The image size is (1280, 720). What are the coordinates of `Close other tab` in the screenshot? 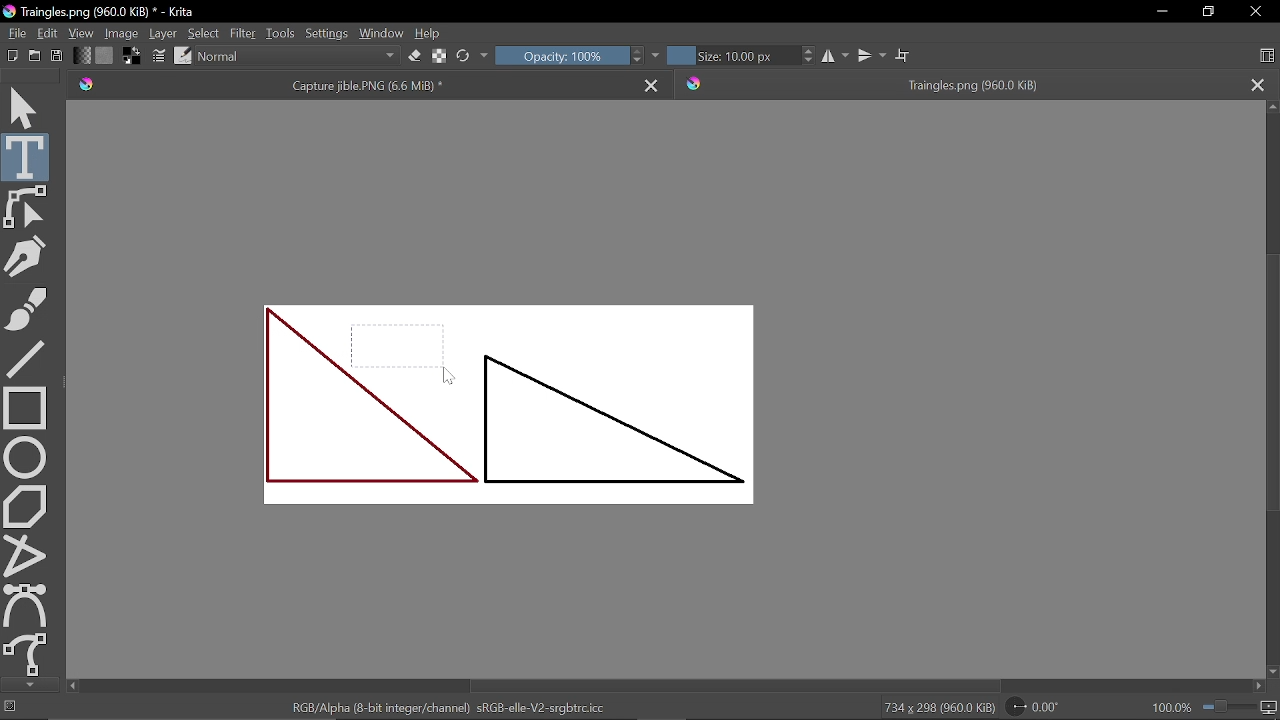 It's located at (1257, 84).